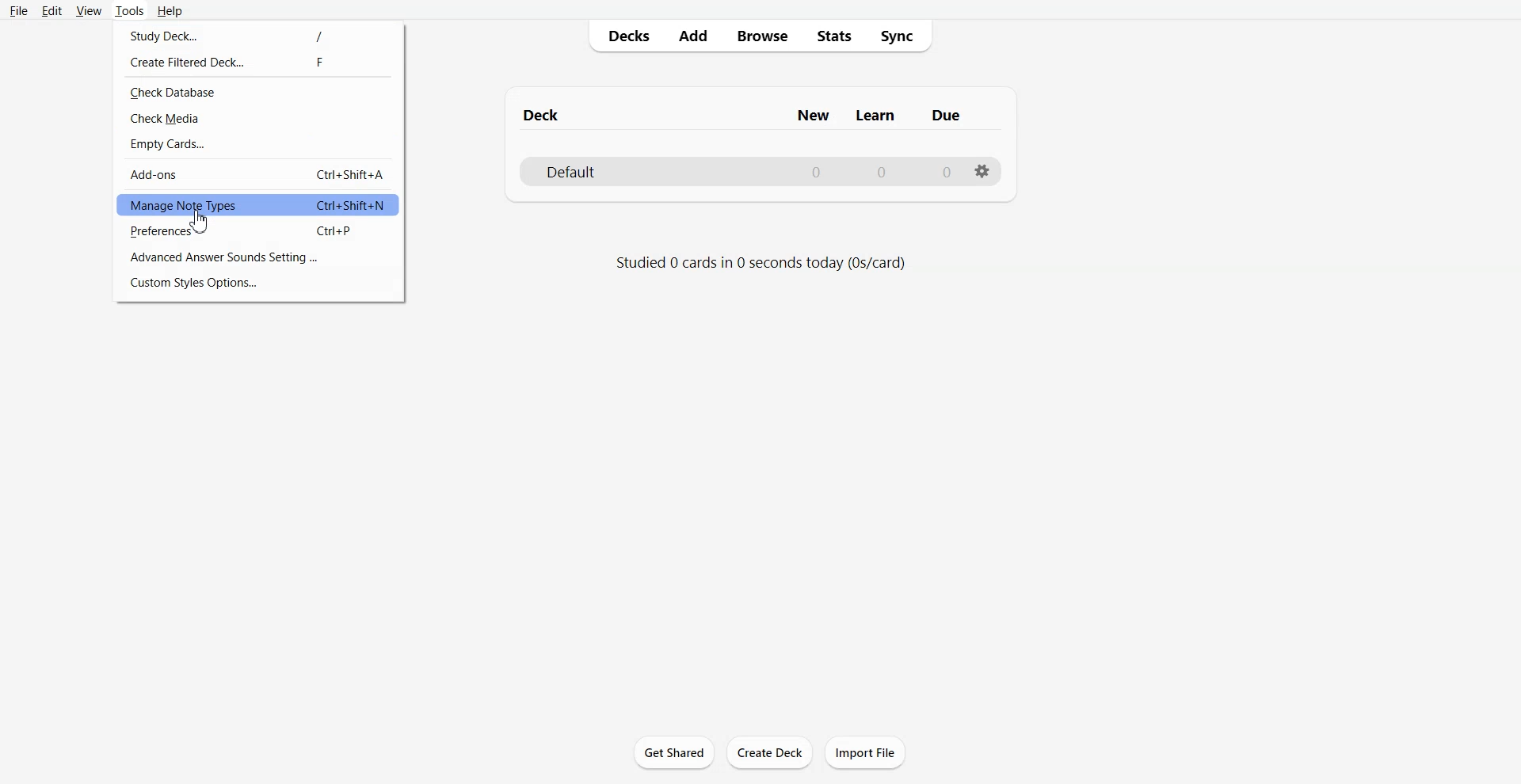 This screenshot has height=784, width=1521. I want to click on Advance Answer Sounds Settings, so click(261, 256).